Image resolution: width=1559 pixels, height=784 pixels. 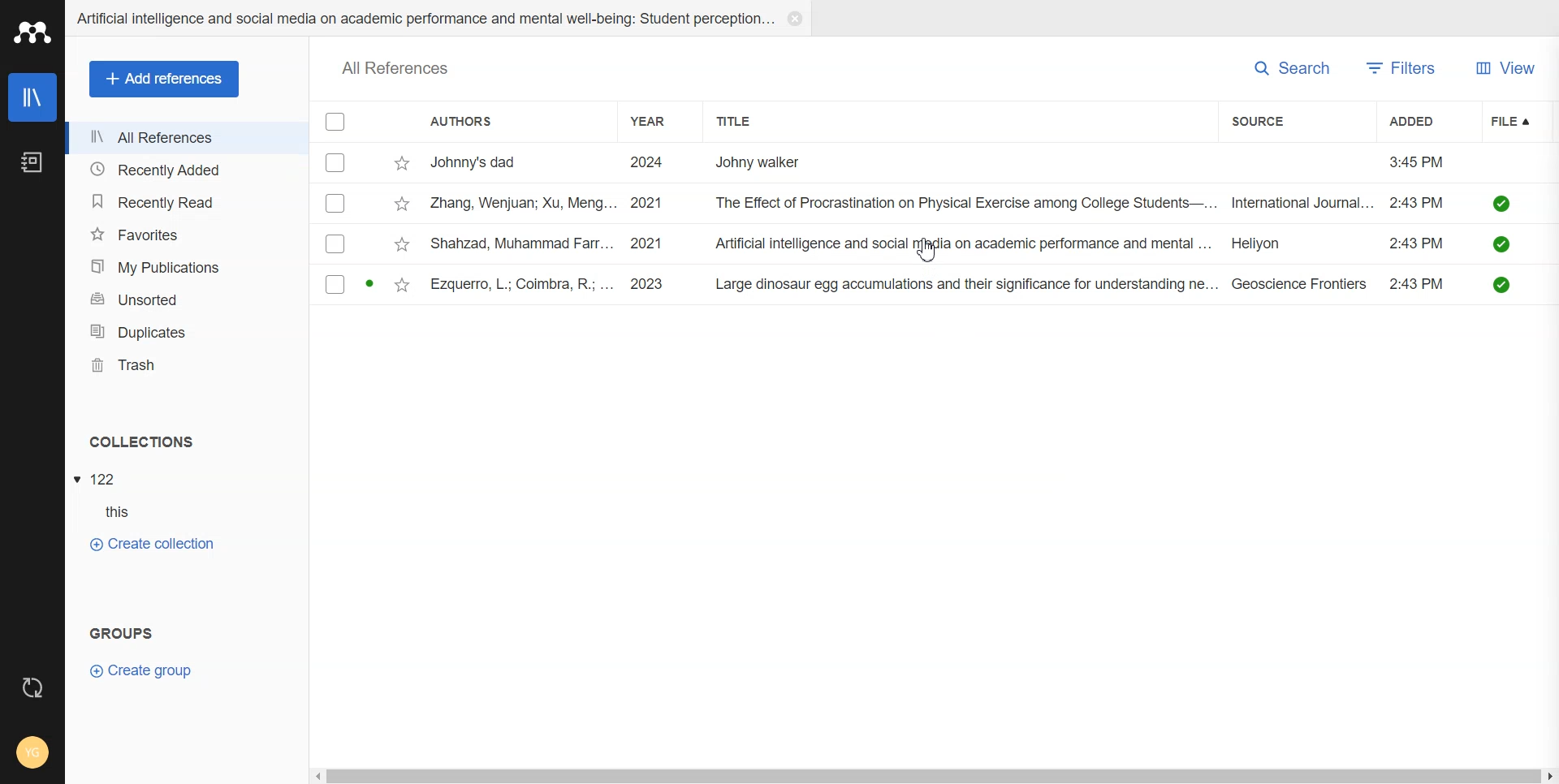 I want to click on 3:45 PM, so click(x=1417, y=162).